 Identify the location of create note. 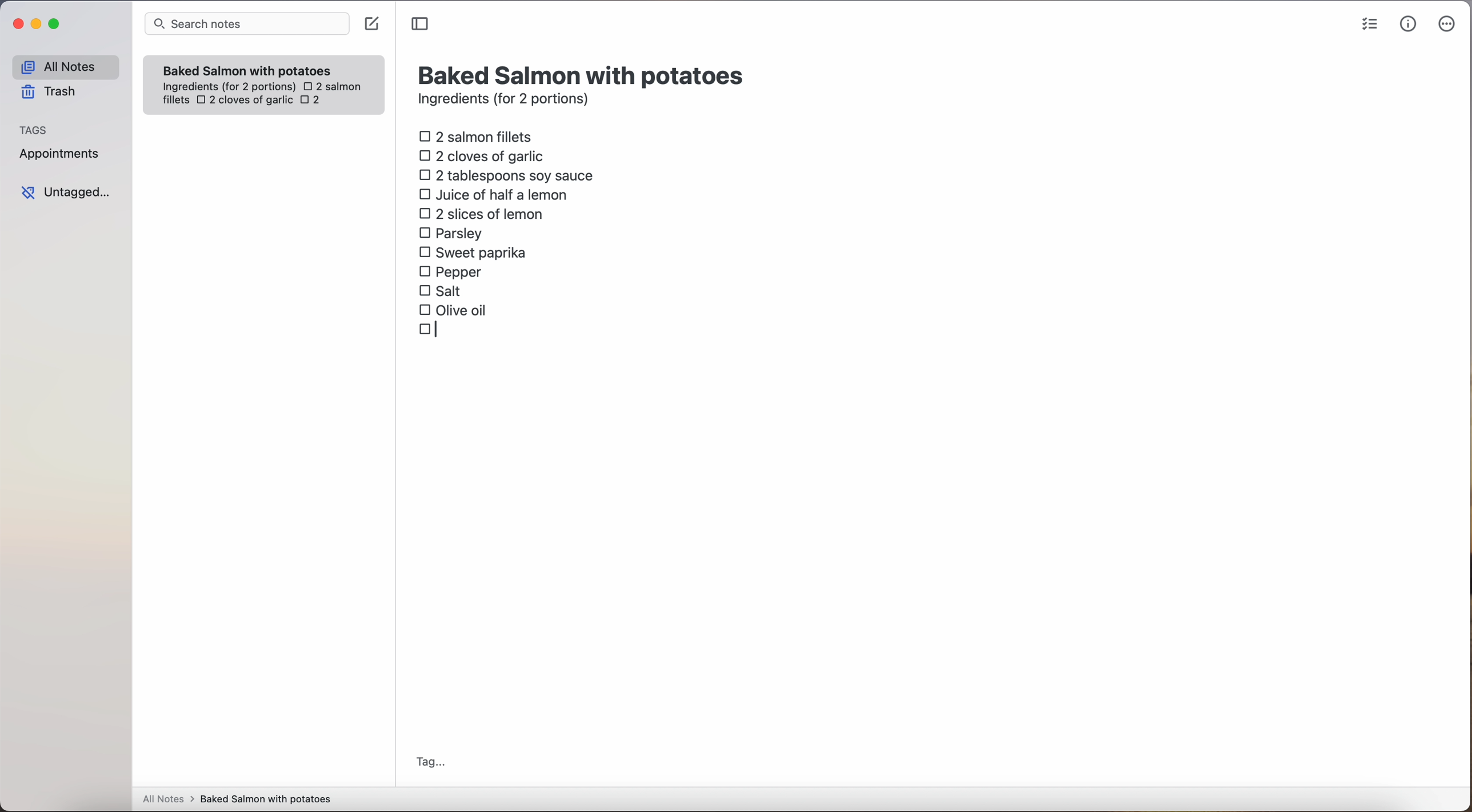
(371, 24).